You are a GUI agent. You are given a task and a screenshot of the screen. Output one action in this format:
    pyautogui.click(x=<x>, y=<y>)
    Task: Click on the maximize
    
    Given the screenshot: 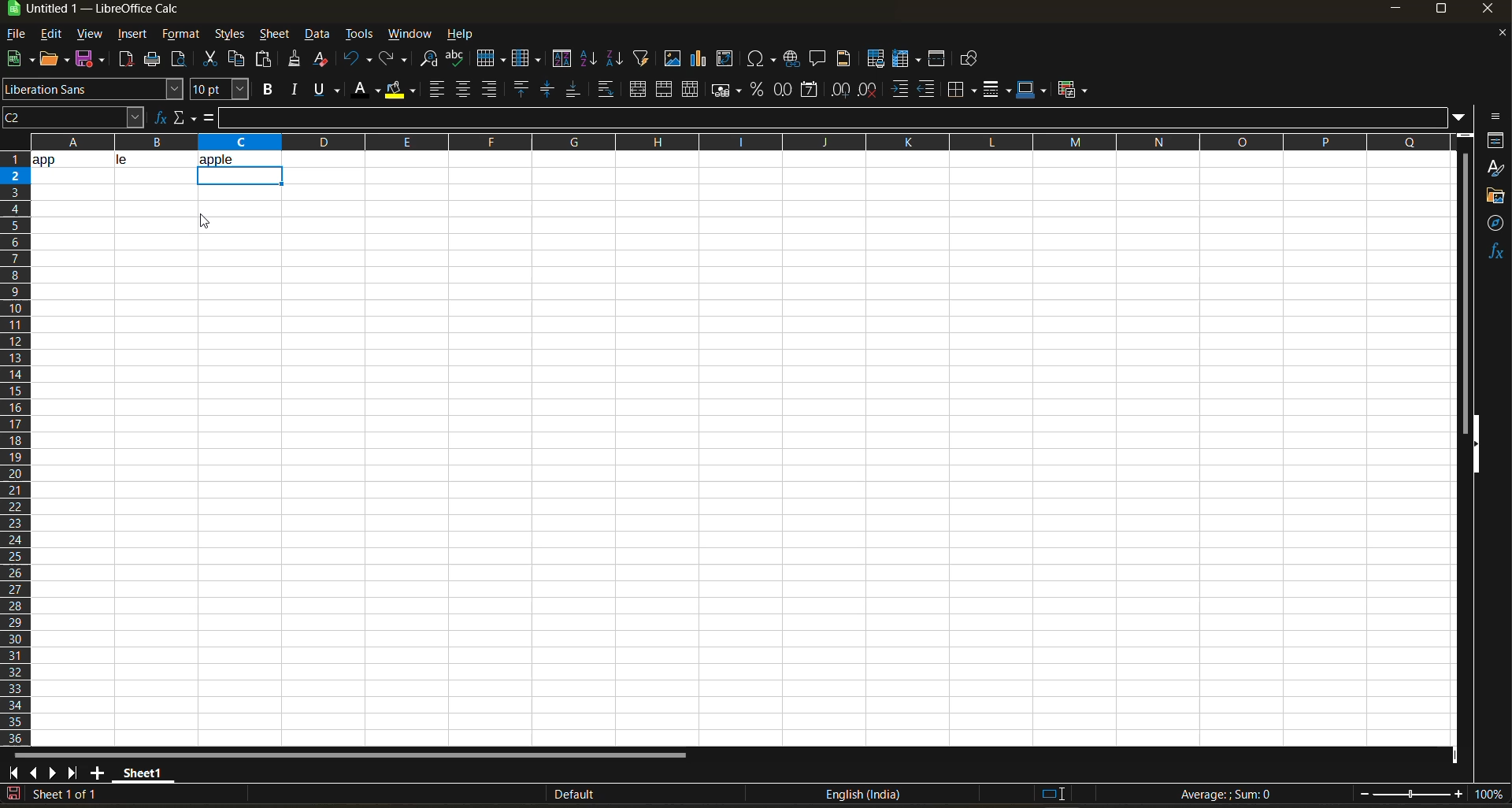 What is the action you would take?
    pyautogui.click(x=1440, y=12)
    